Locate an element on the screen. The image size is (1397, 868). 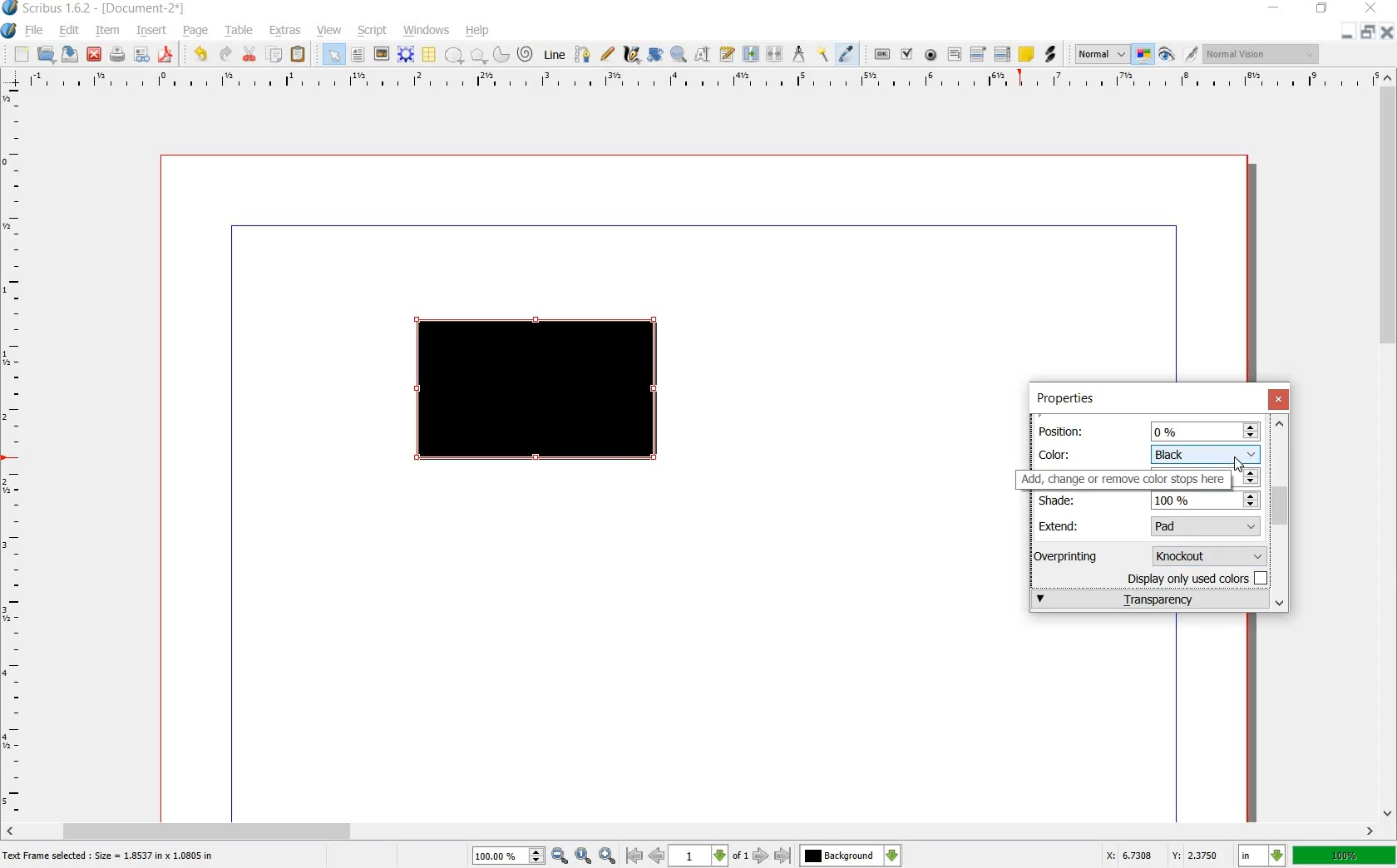
windows is located at coordinates (426, 31).